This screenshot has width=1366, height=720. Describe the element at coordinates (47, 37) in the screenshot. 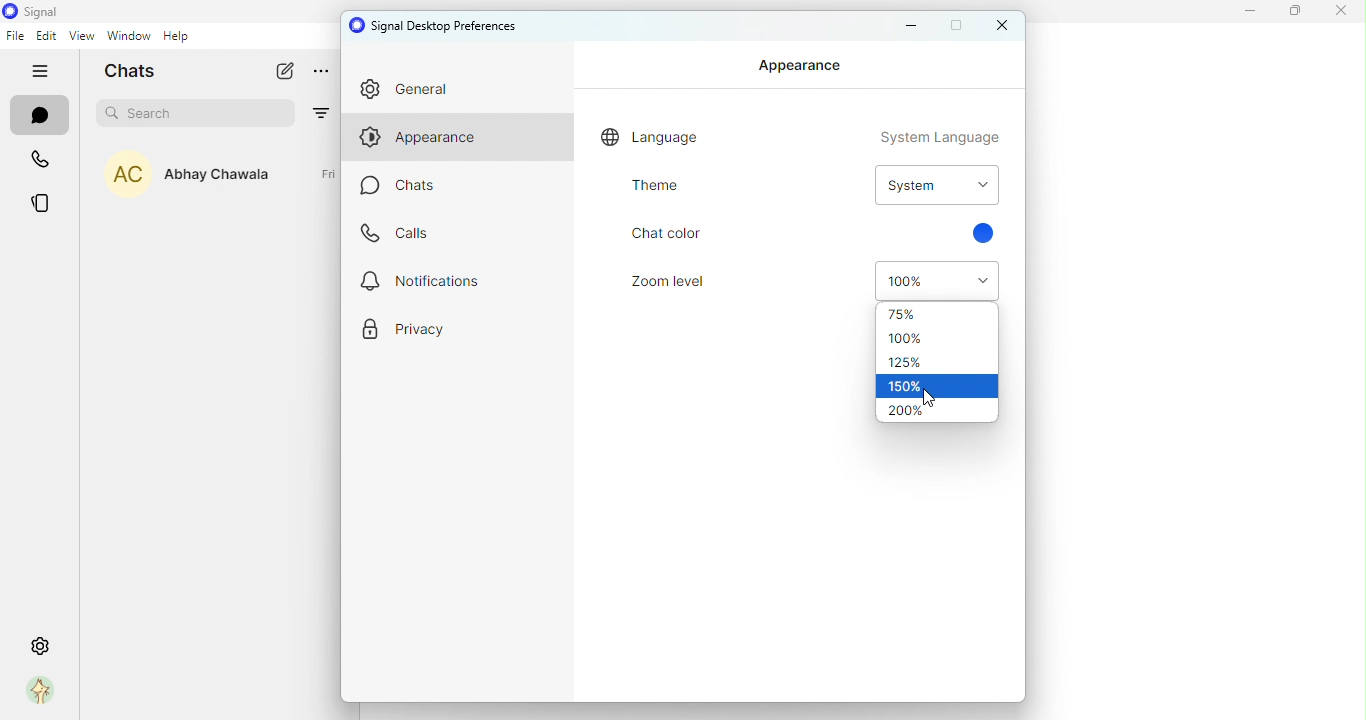

I see `edit` at that location.